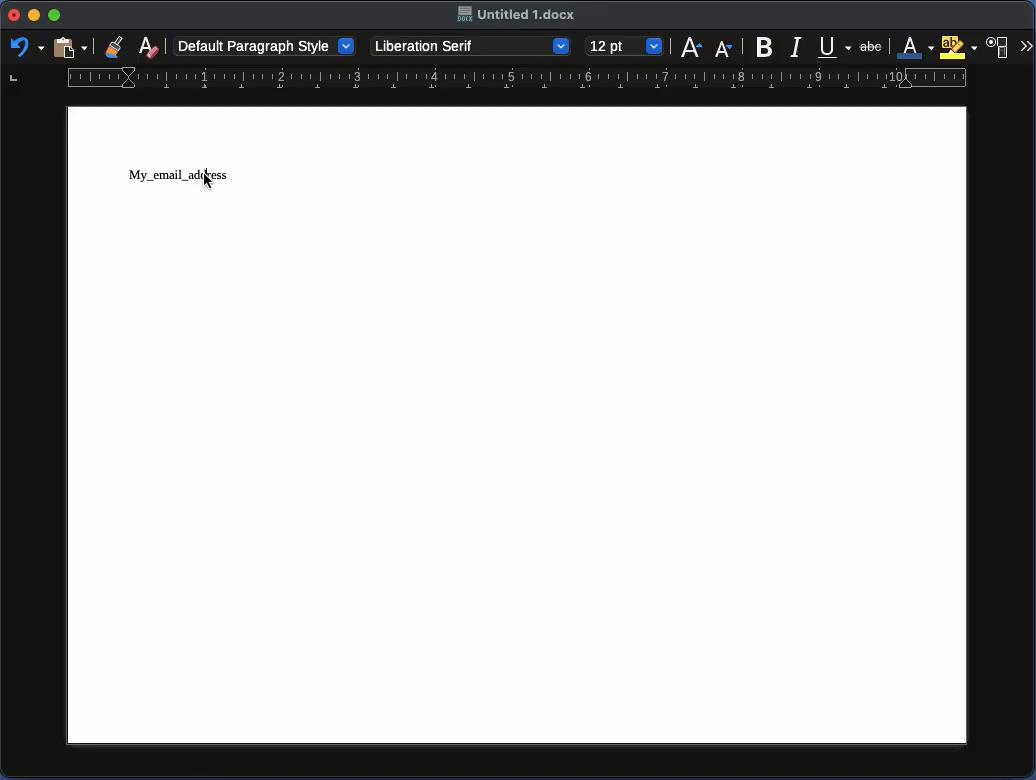 This screenshot has height=780, width=1036. I want to click on Default paragraph  style, so click(265, 45).